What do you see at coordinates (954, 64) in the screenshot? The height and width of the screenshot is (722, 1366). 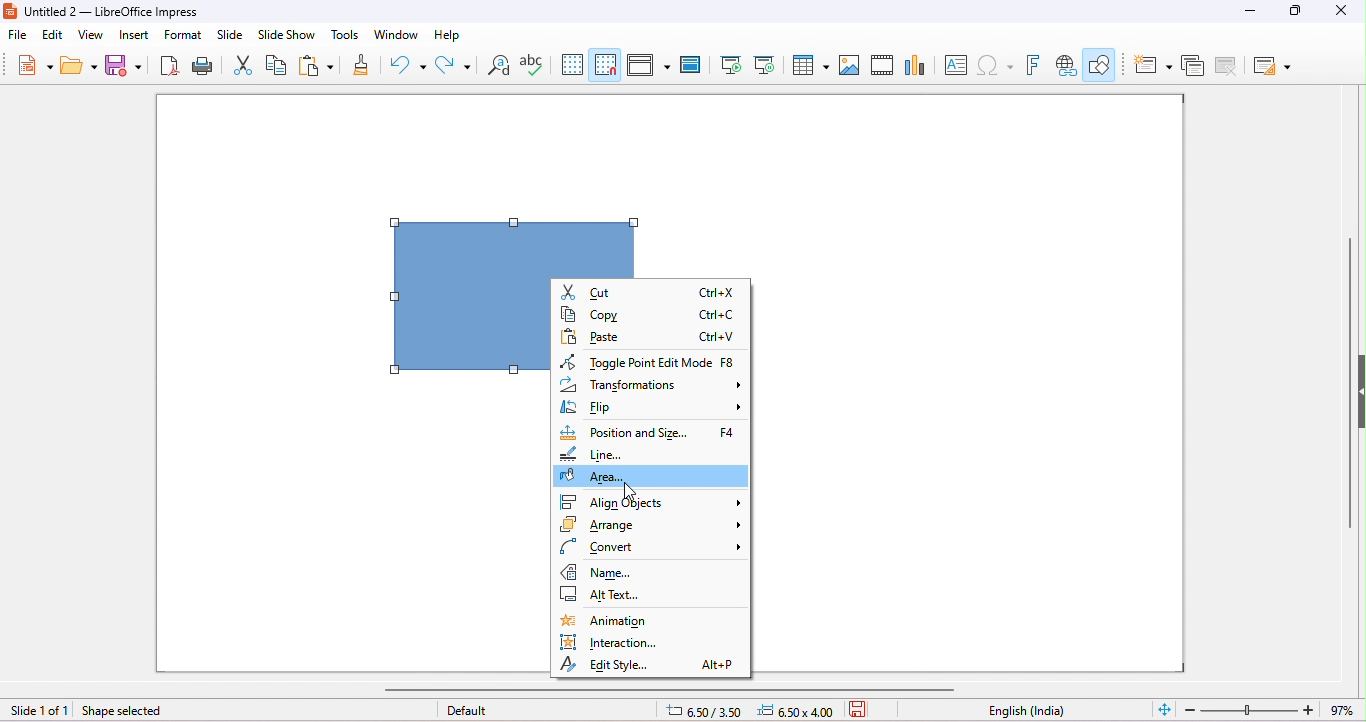 I see `insert text box` at bounding box center [954, 64].